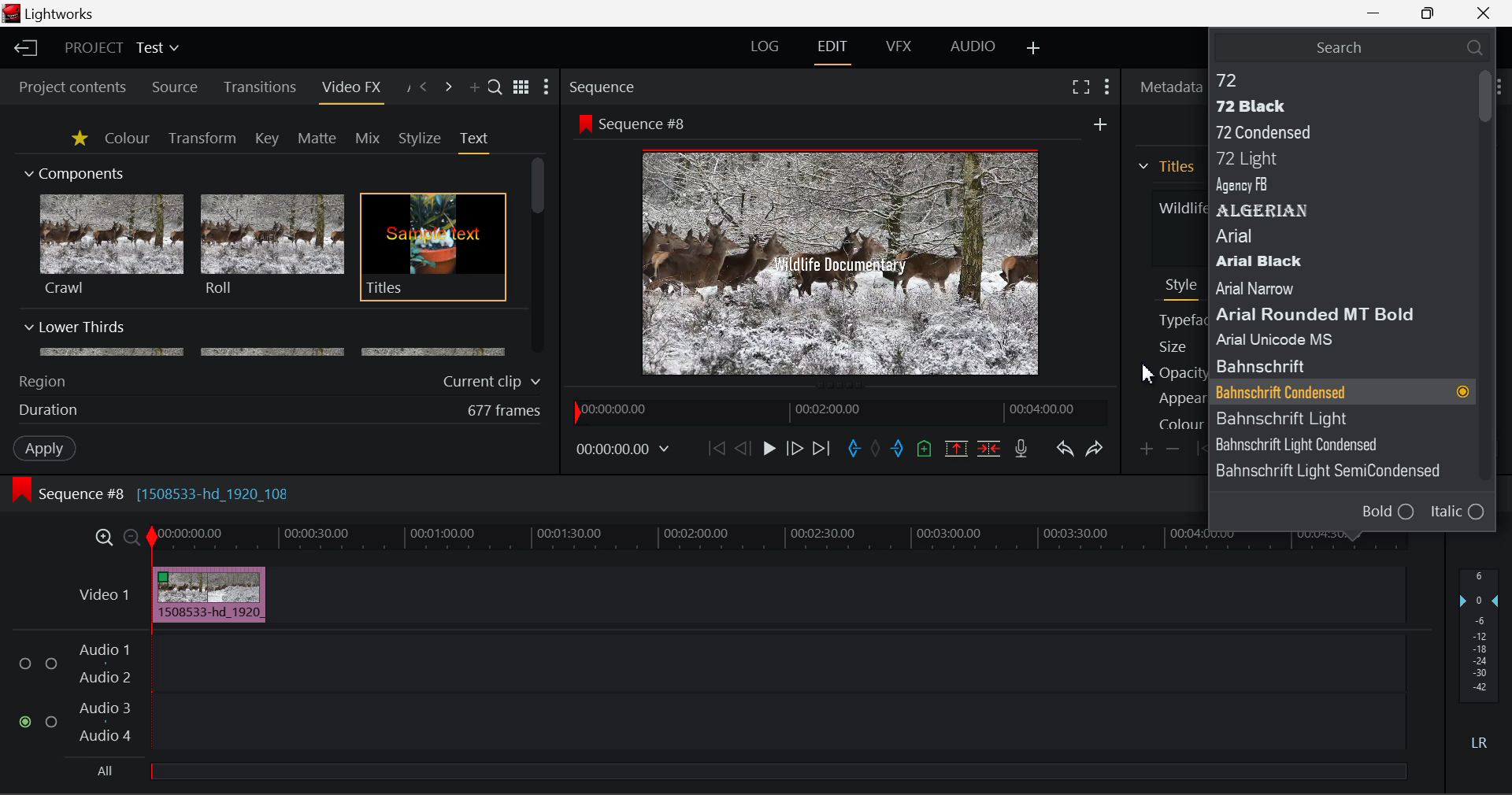 The image size is (1512, 795). What do you see at coordinates (204, 139) in the screenshot?
I see `Transform` at bounding box center [204, 139].